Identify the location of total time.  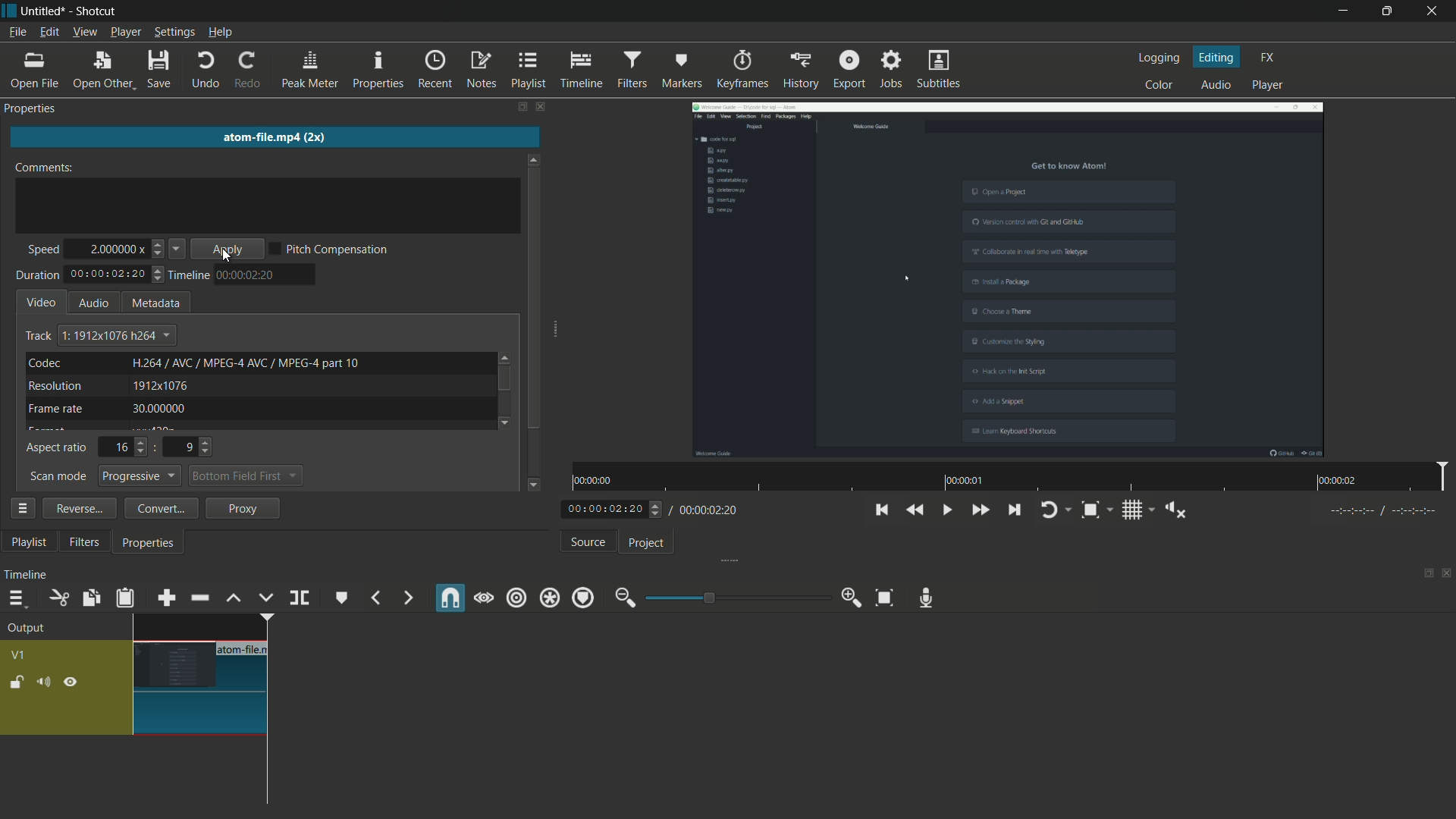
(708, 510).